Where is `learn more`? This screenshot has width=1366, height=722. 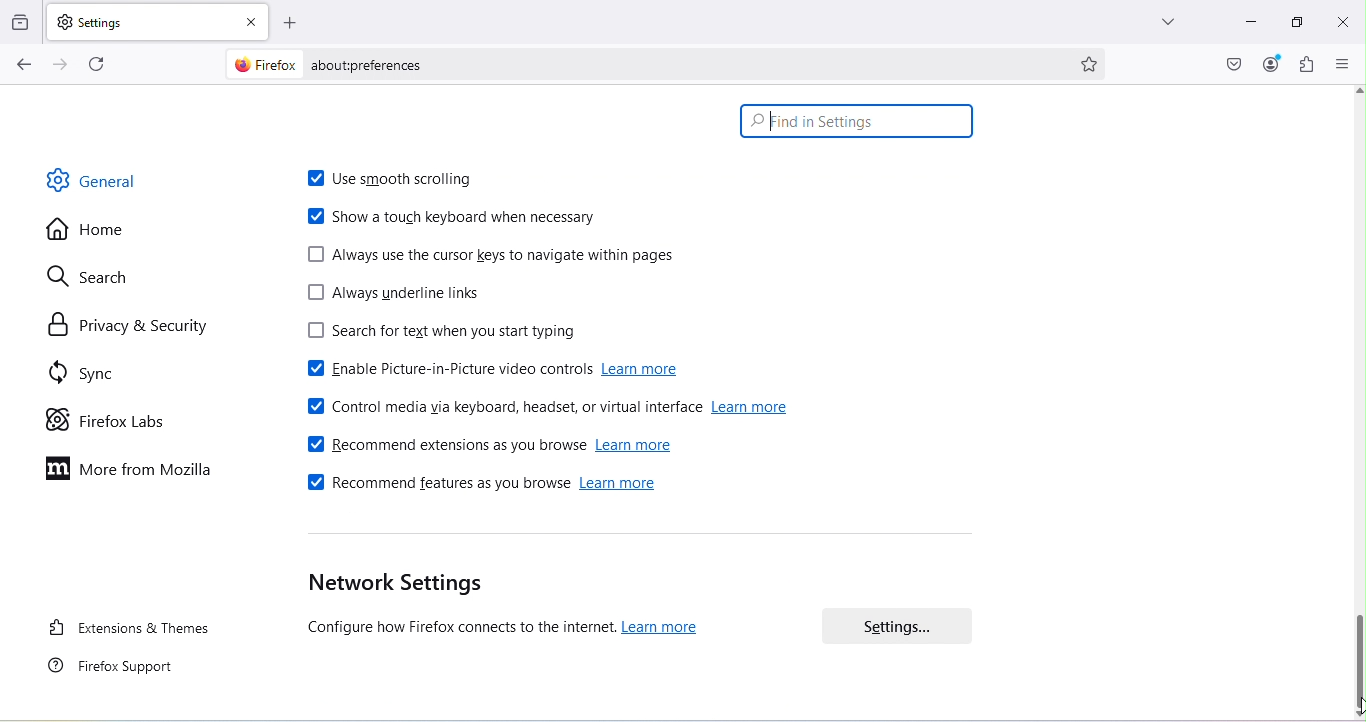
learn more is located at coordinates (644, 372).